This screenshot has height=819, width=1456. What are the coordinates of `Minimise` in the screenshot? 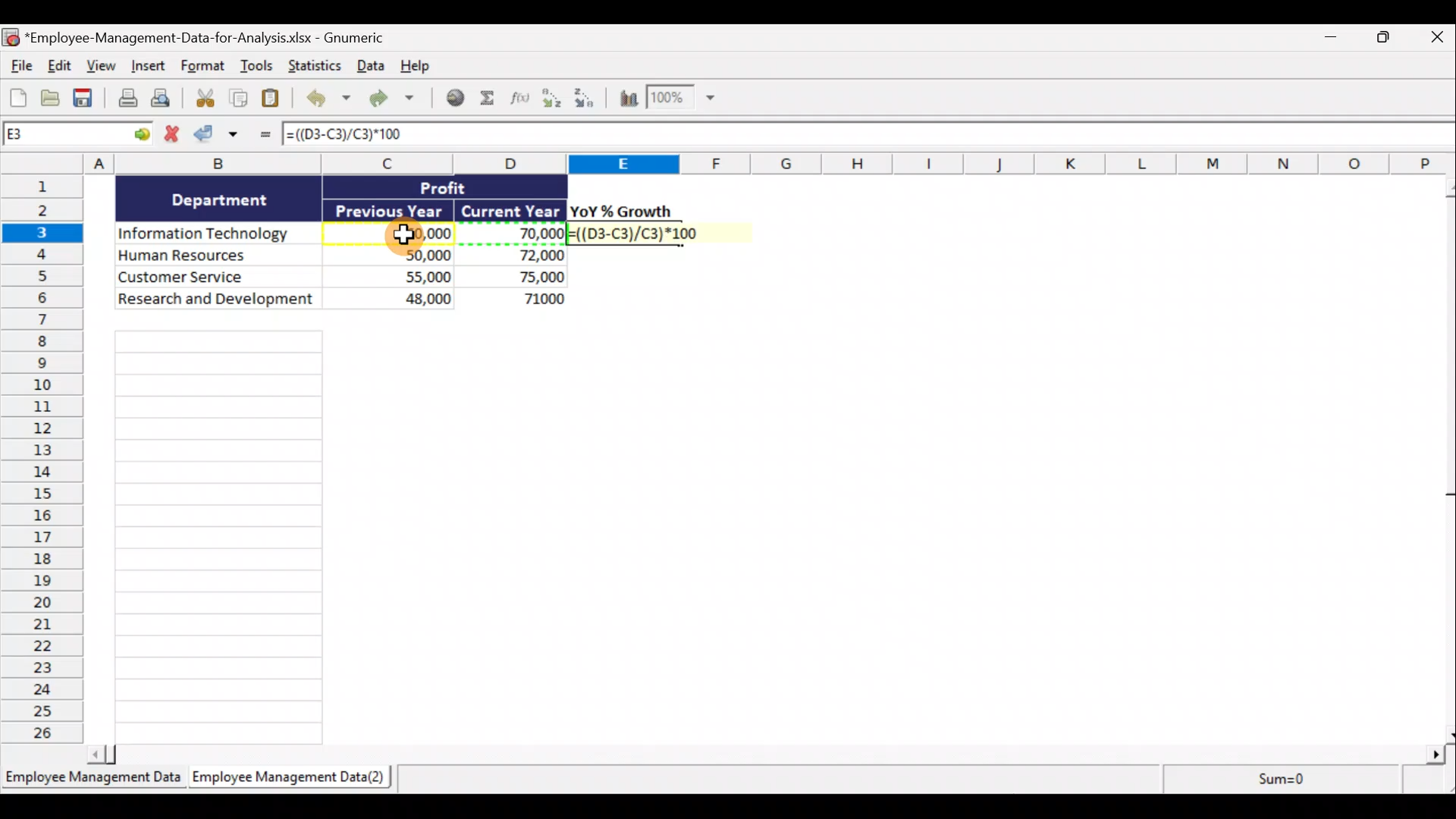 It's located at (1328, 40).